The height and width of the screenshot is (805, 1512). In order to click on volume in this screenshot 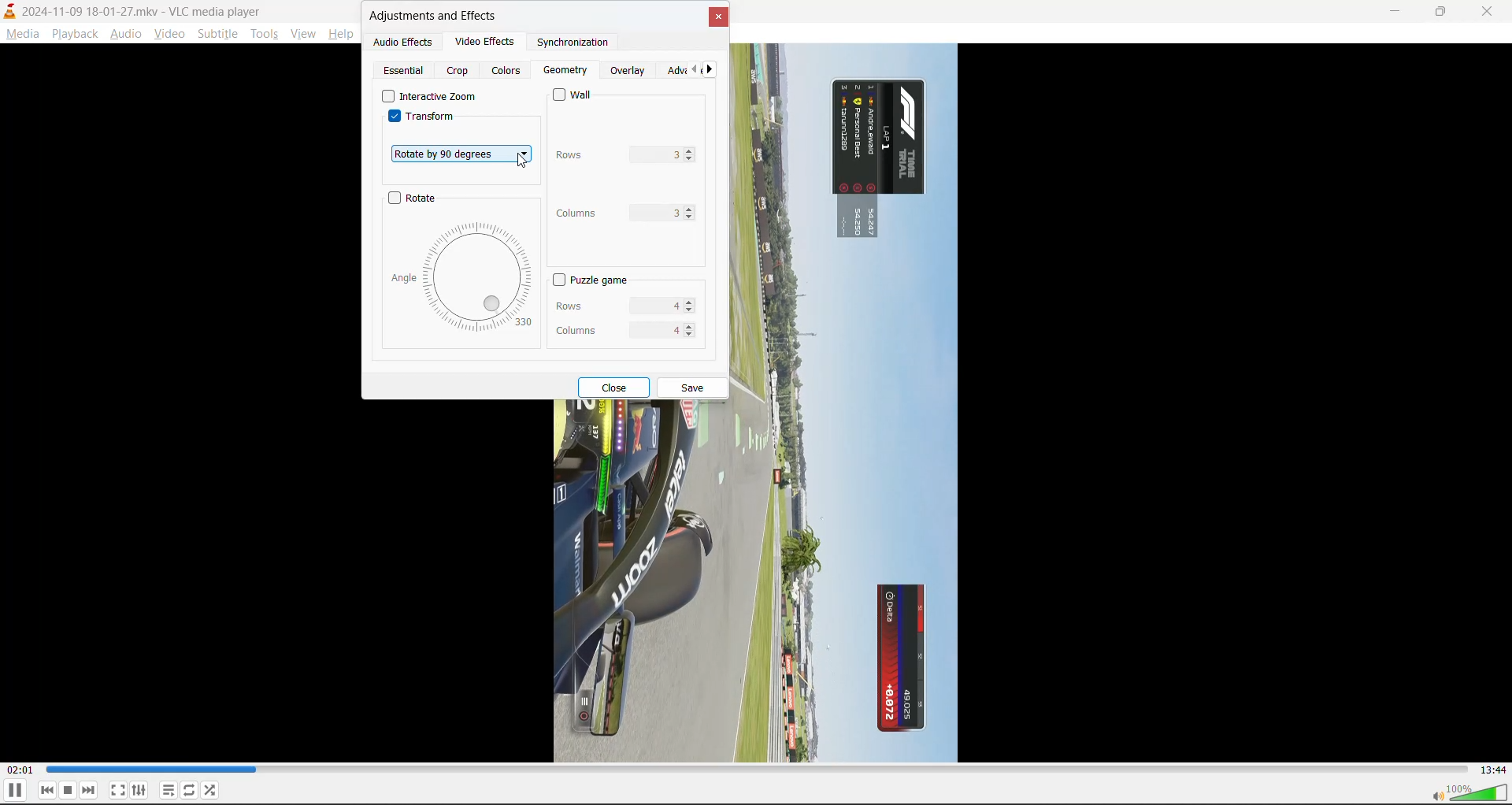, I will do `click(1471, 794)`.